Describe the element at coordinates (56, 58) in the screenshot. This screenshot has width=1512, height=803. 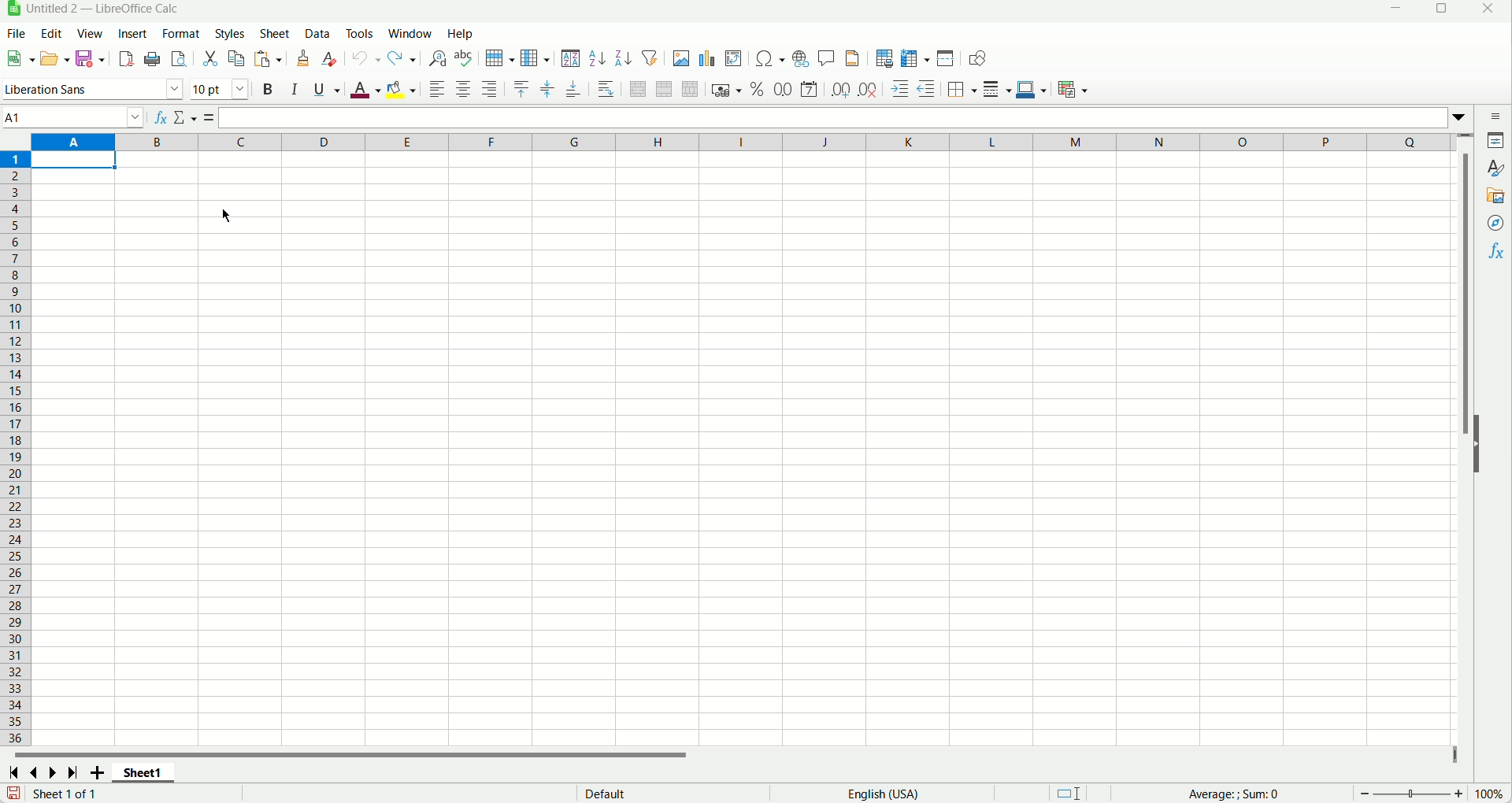
I see `Open` at that location.